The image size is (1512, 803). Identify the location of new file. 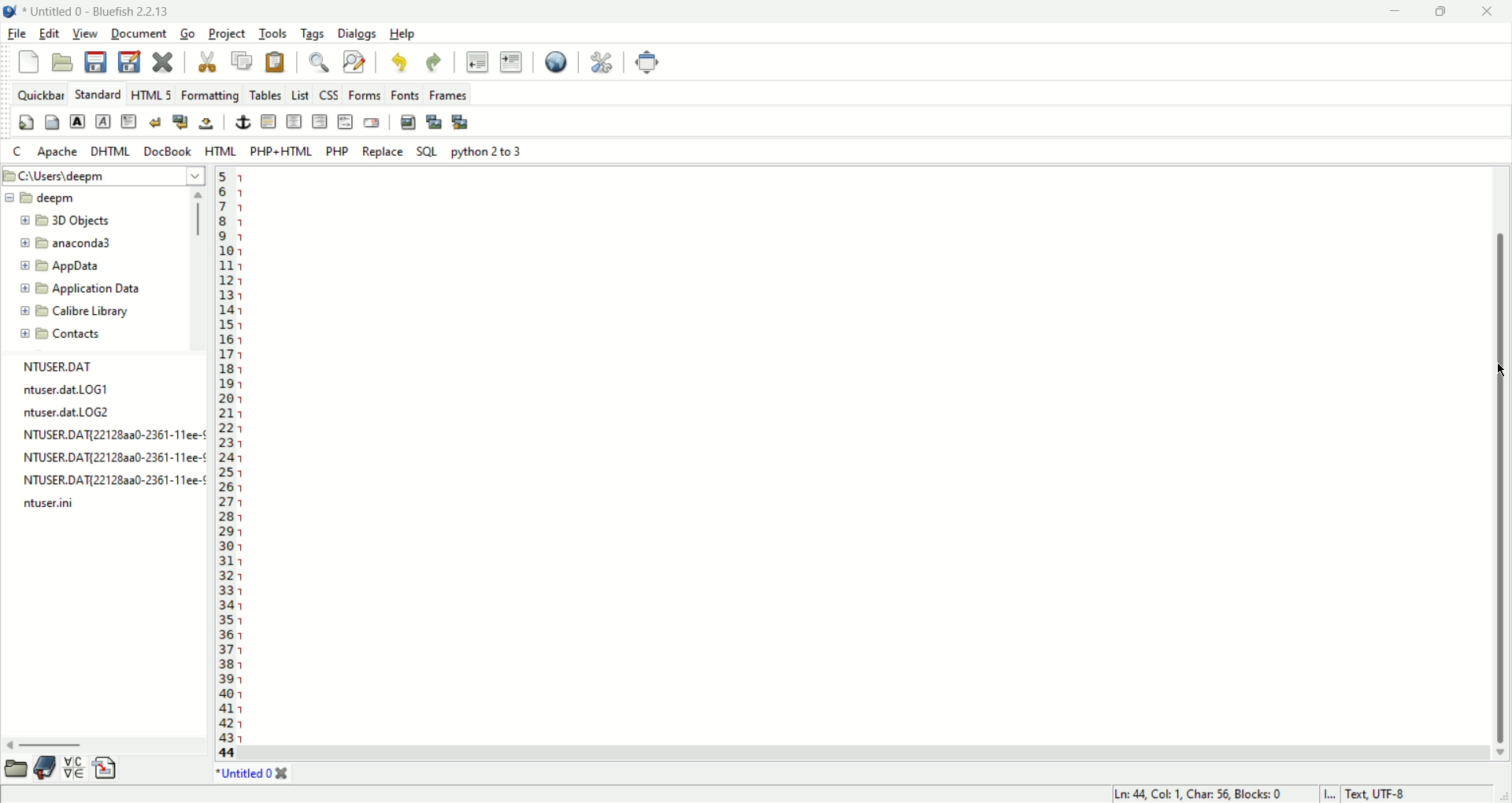
(27, 62).